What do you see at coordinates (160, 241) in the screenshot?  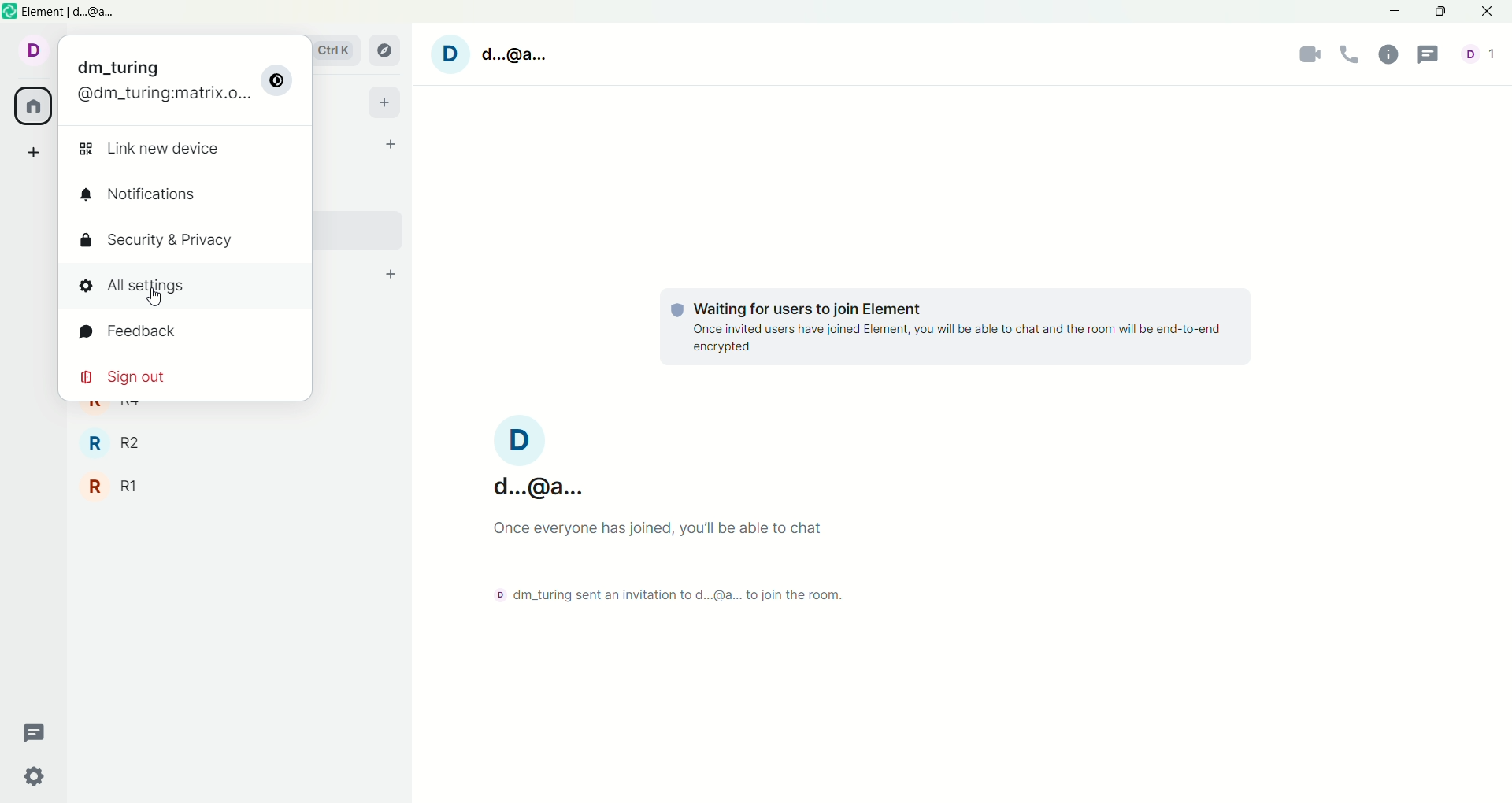 I see `security and privacy` at bounding box center [160, 241].